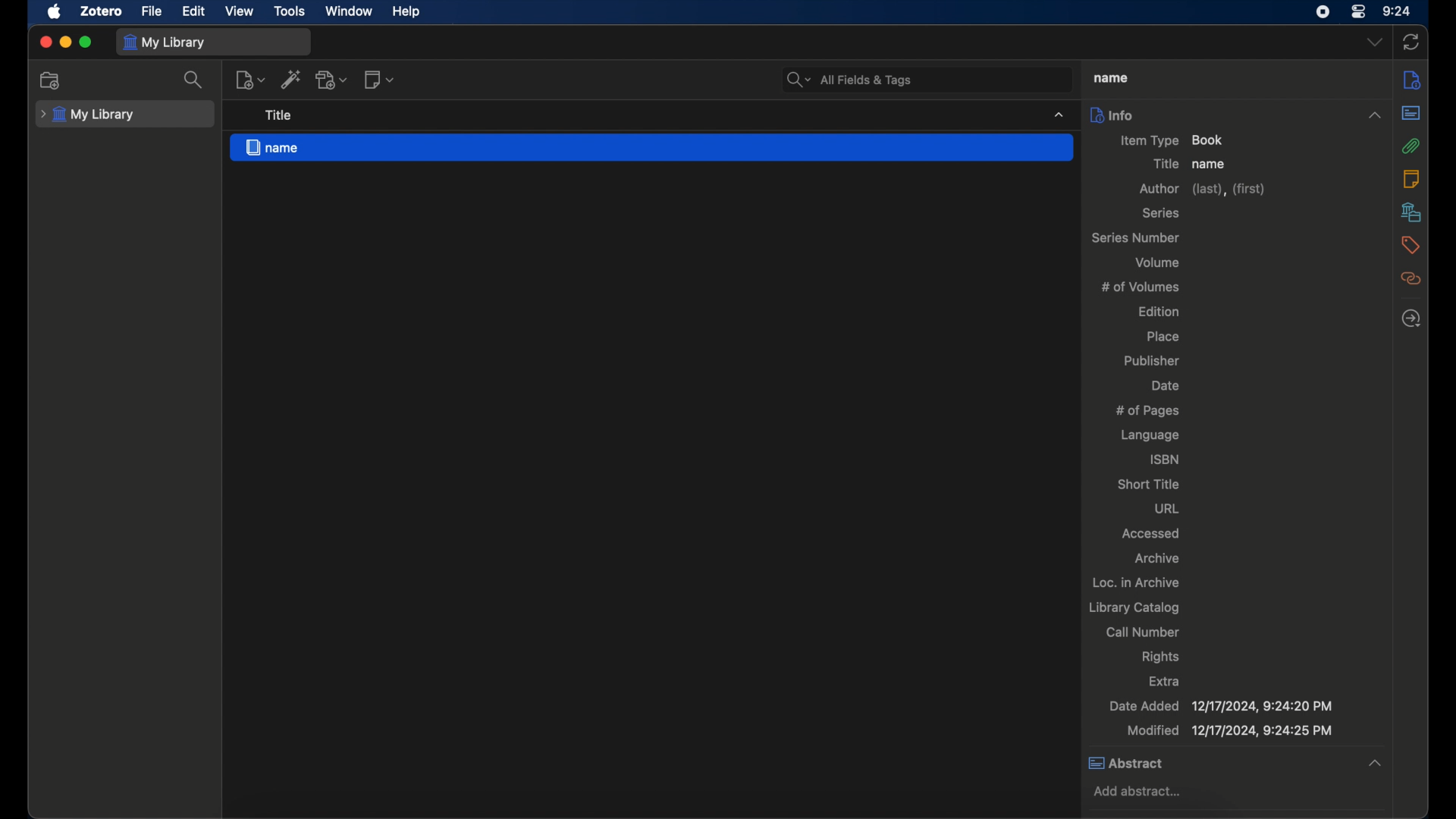 This screenshot has height=819, width=1456. What do you see at coordinates (1412, 113) in the screenshot?
I see `abstract` at bounding box center [1412, 113].